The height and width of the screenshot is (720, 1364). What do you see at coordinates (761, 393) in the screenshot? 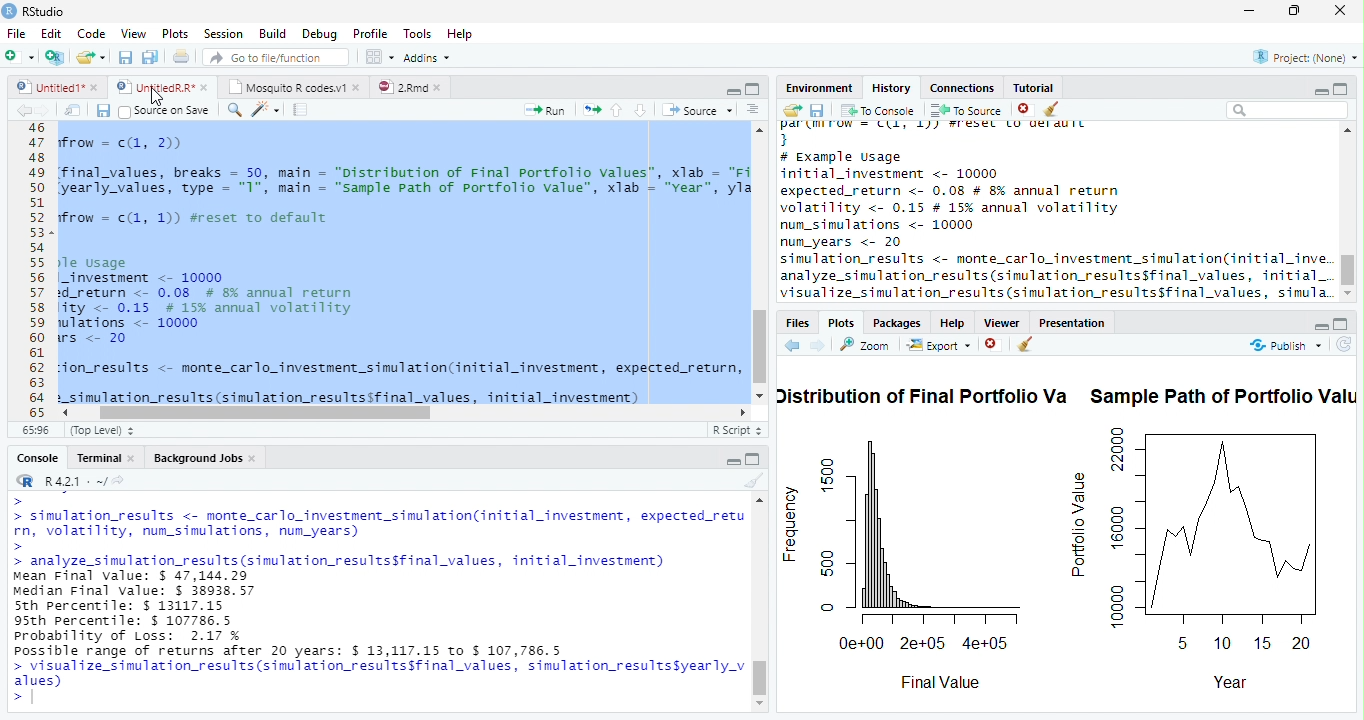
I see `Scroll down` at bounding box center [761, 393].